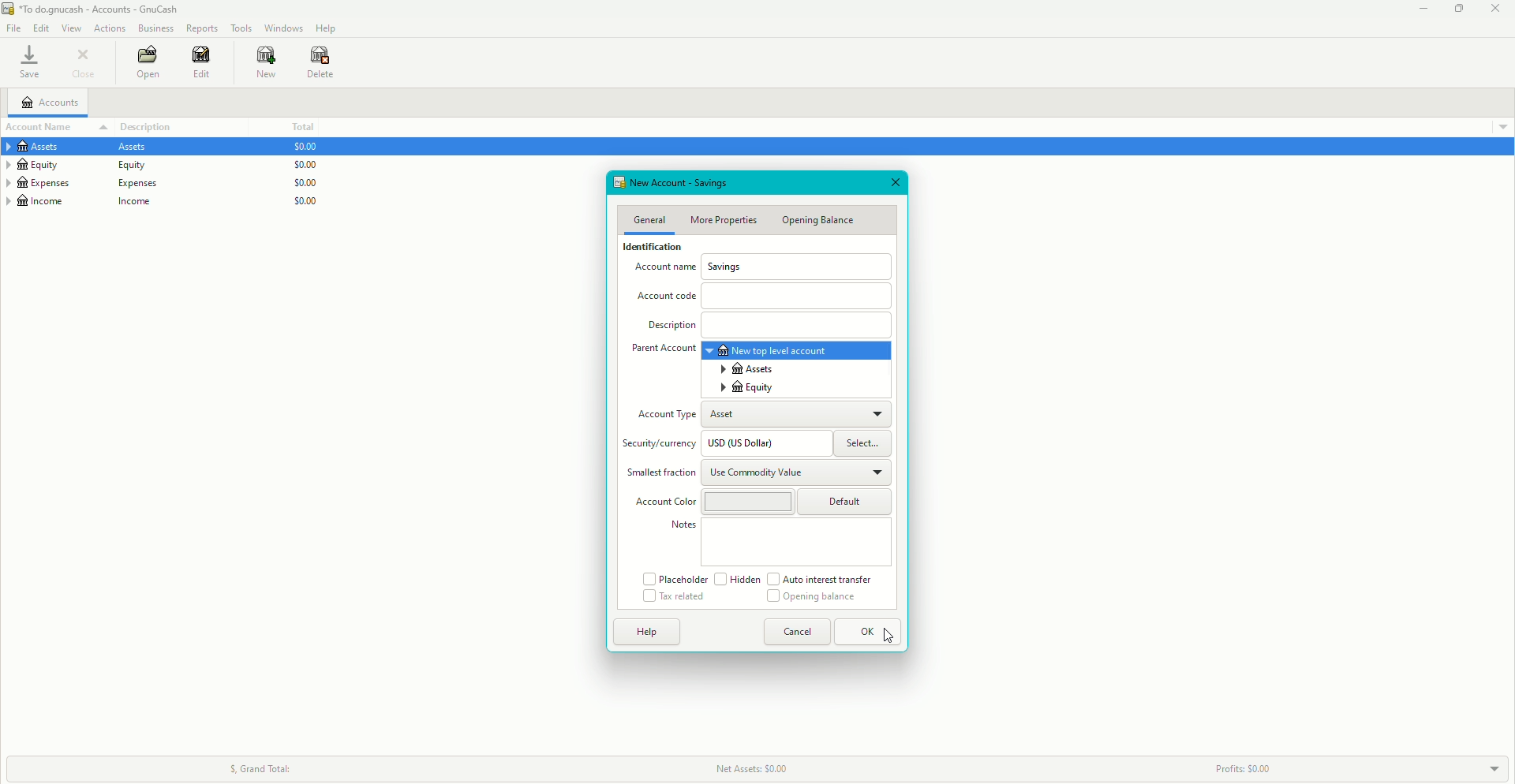  Describe the element at coordinates (750, 444) in the screenshot. I see `USD` at that location.